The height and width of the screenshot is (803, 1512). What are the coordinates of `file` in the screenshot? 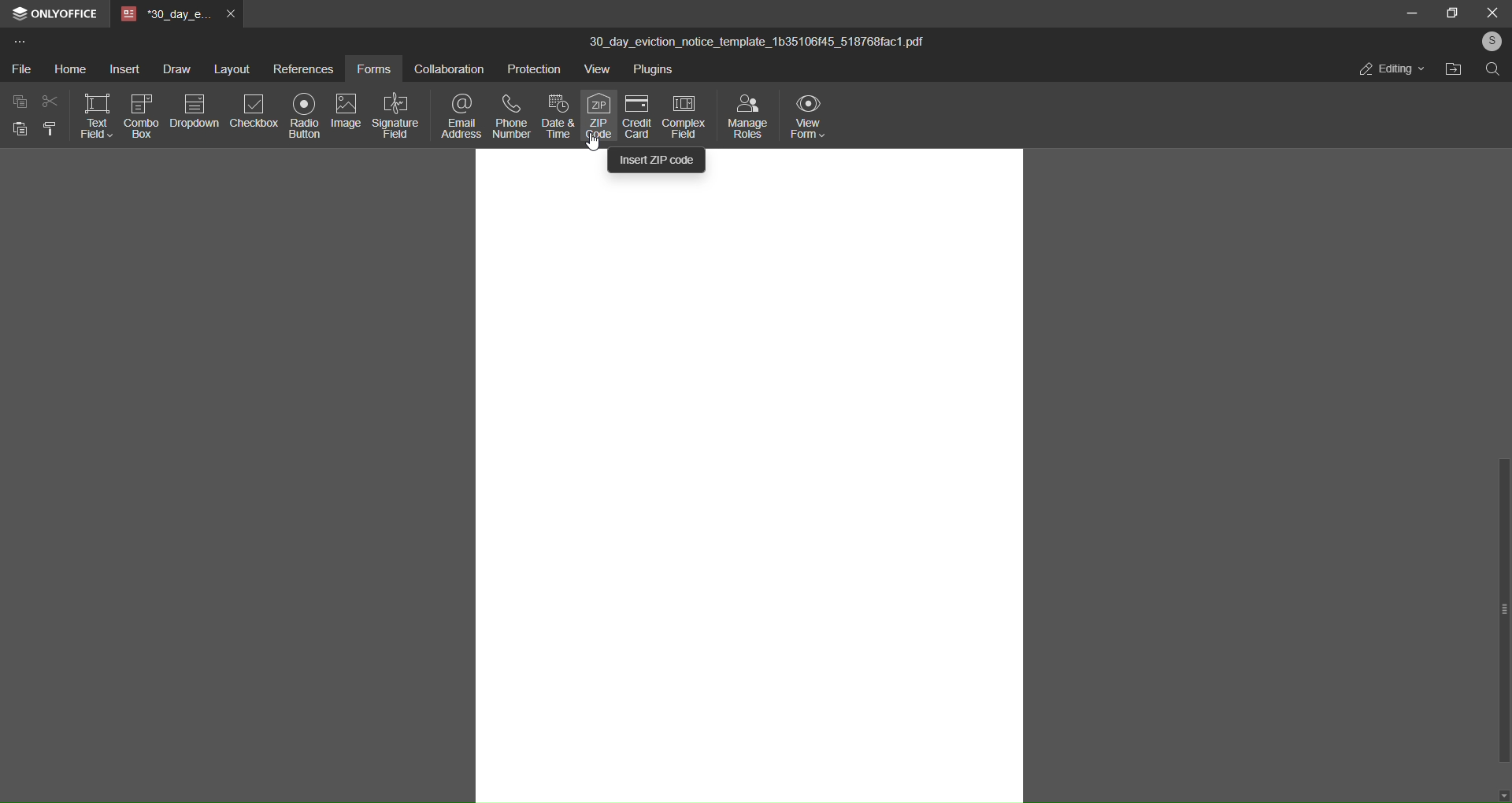 It's located at (20, 68).